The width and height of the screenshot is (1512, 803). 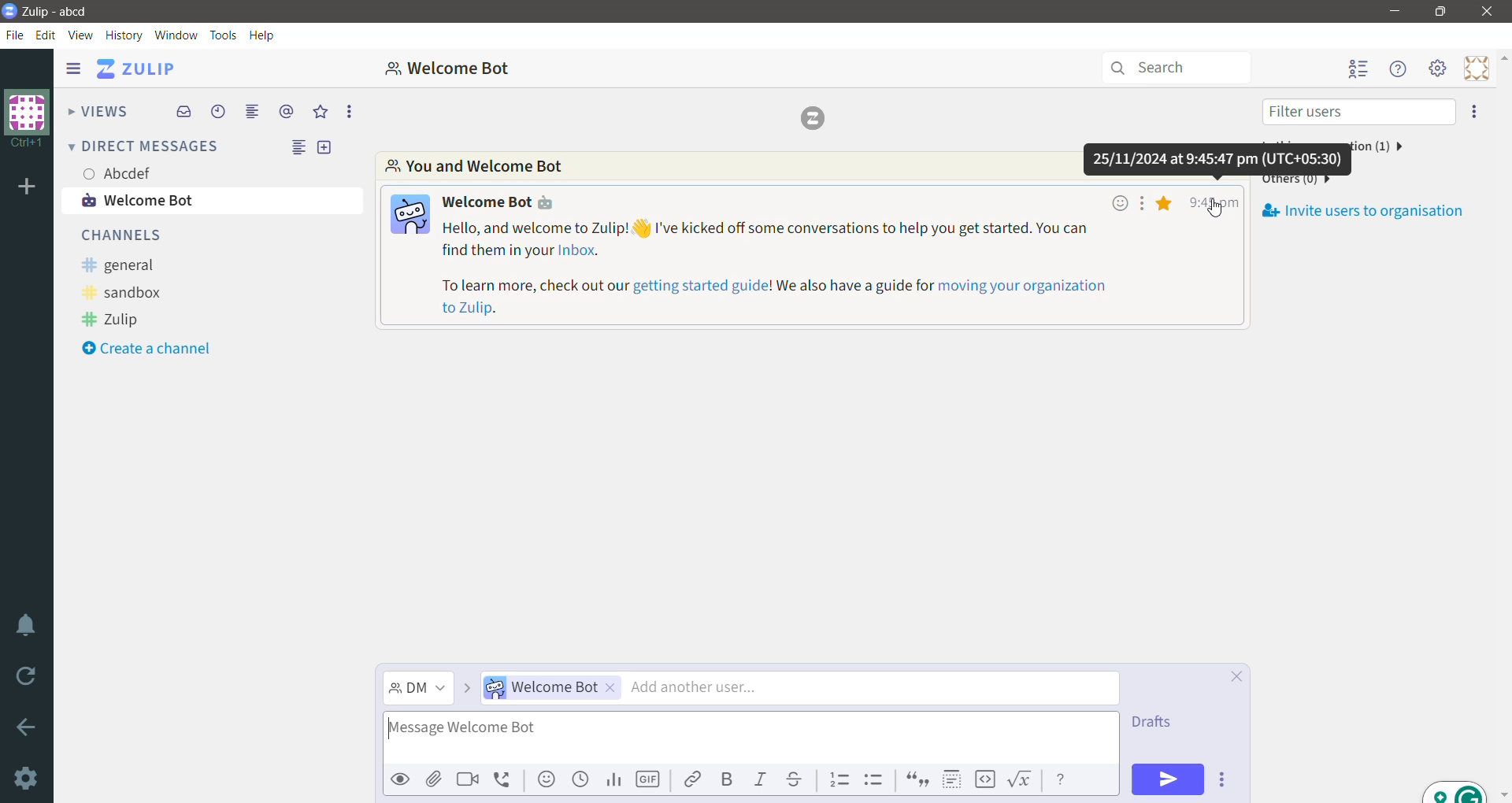 I want to click on Recent Conversations, so click(x=219, y=111).